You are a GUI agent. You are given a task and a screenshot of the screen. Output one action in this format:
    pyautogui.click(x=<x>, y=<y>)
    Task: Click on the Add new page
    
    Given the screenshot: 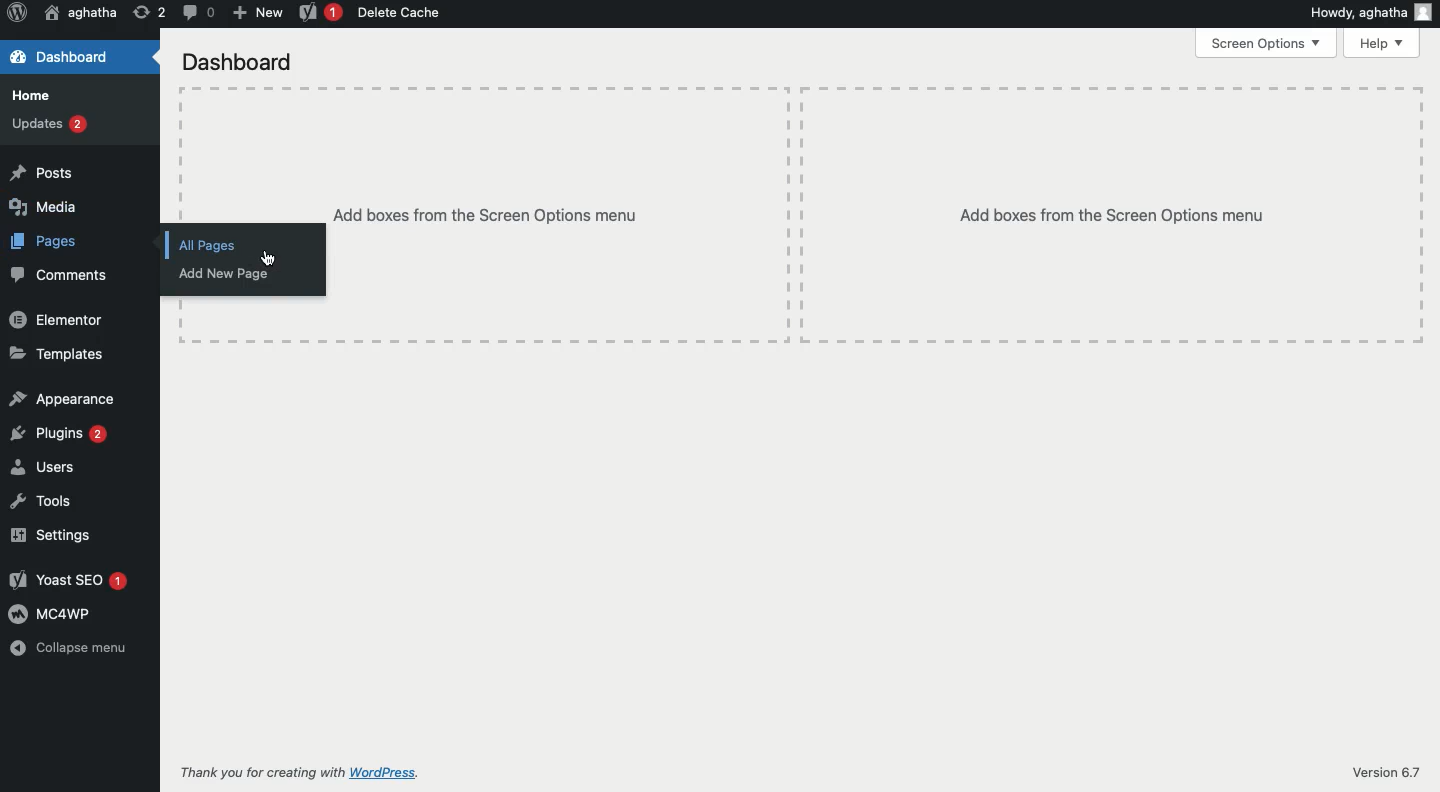 What is the action you would take?
    pyautogui.click(x=224, y=275)
    